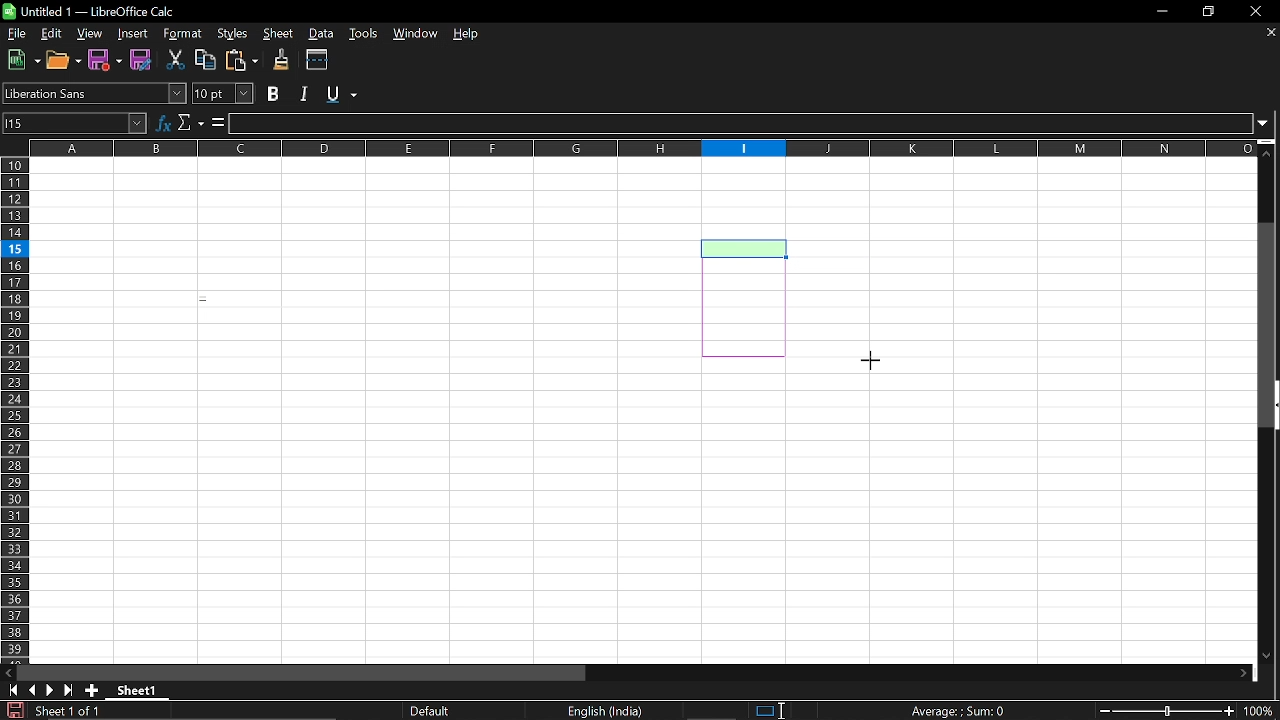  I want to click on Copy, so click(206, 61).